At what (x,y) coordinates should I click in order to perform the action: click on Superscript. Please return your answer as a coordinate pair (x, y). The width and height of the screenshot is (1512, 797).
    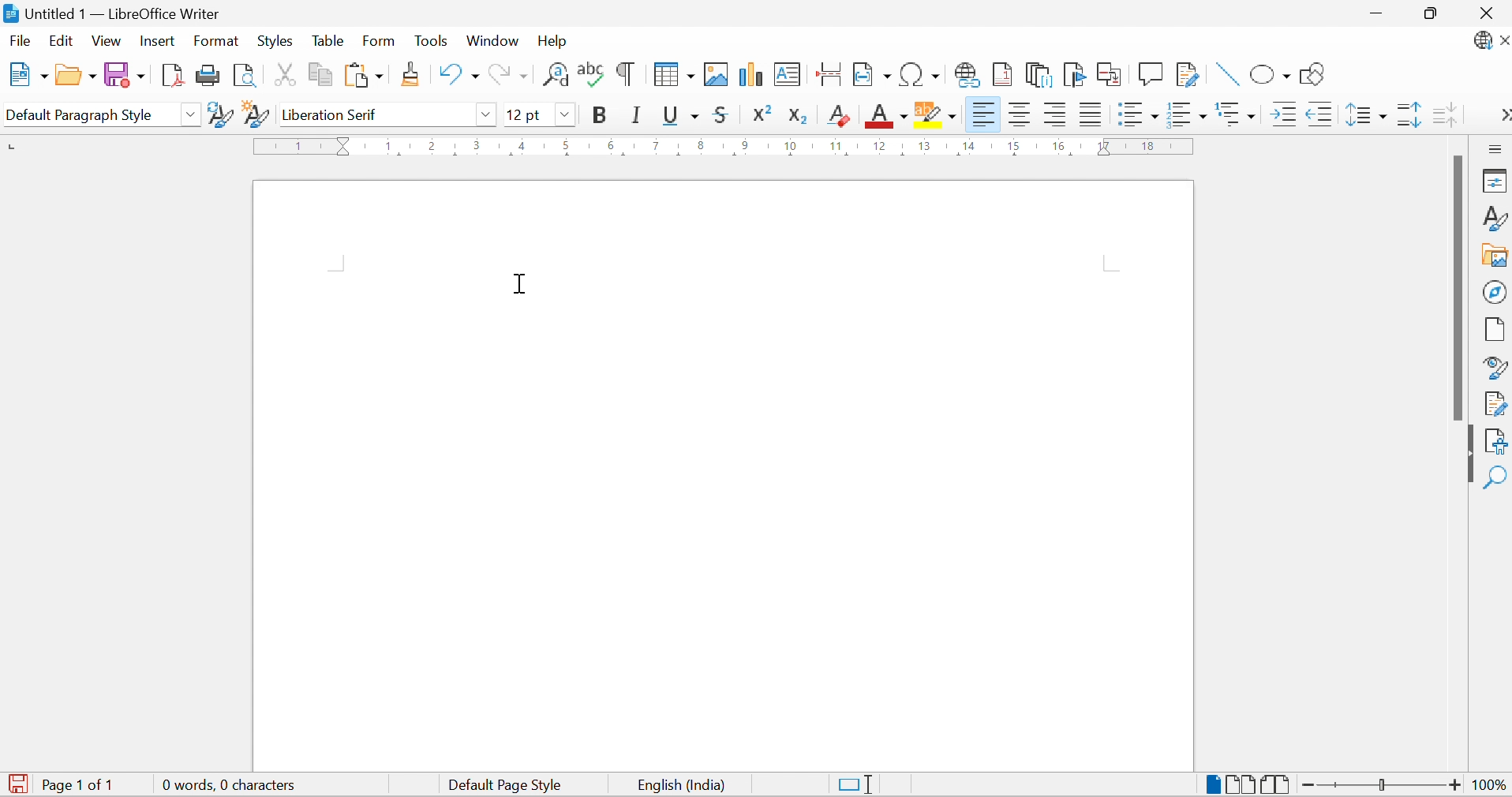
    Looking at the image, I should click on (767, 113).